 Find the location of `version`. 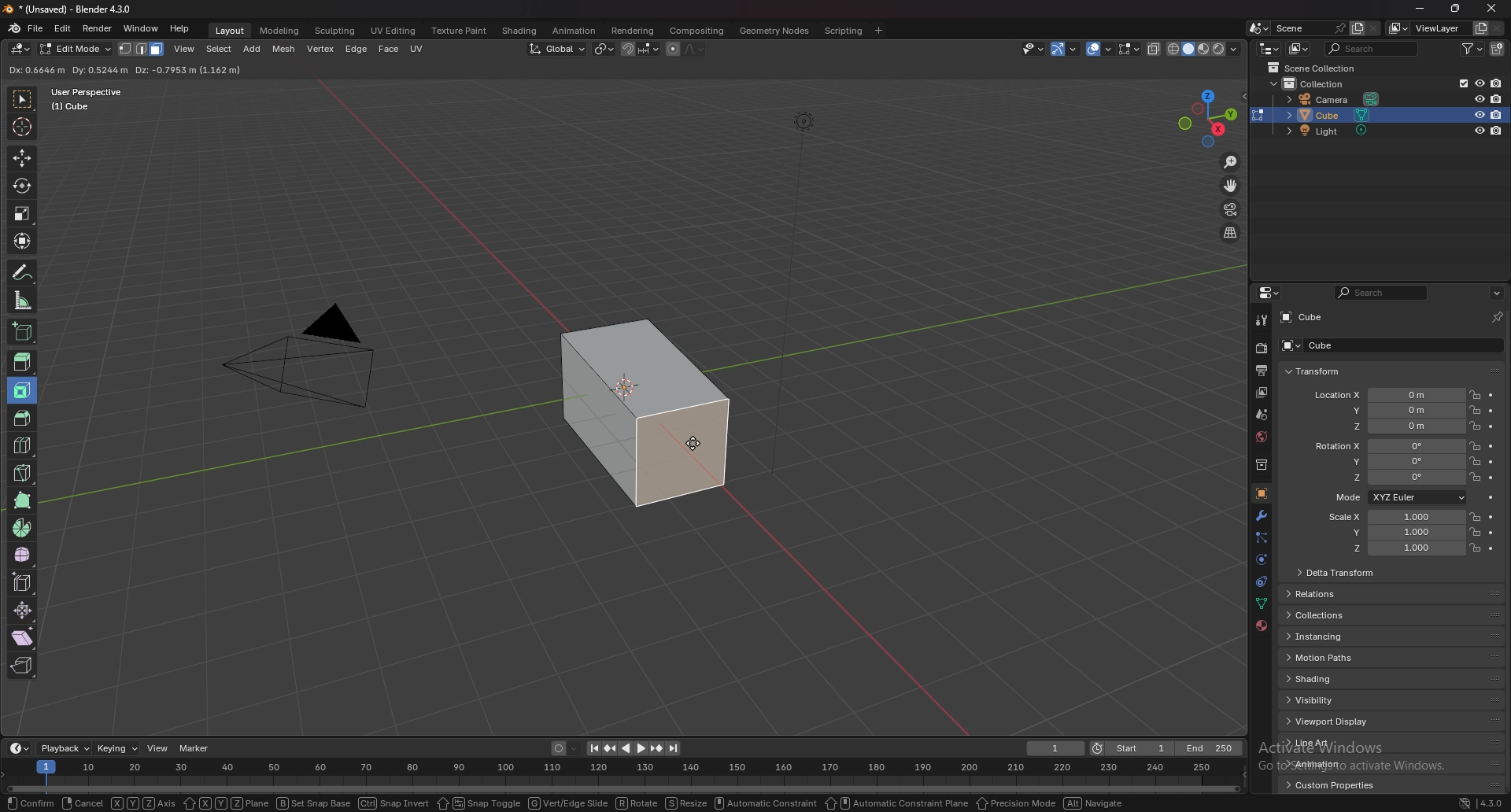

version is located at coordinates (1493, 803).